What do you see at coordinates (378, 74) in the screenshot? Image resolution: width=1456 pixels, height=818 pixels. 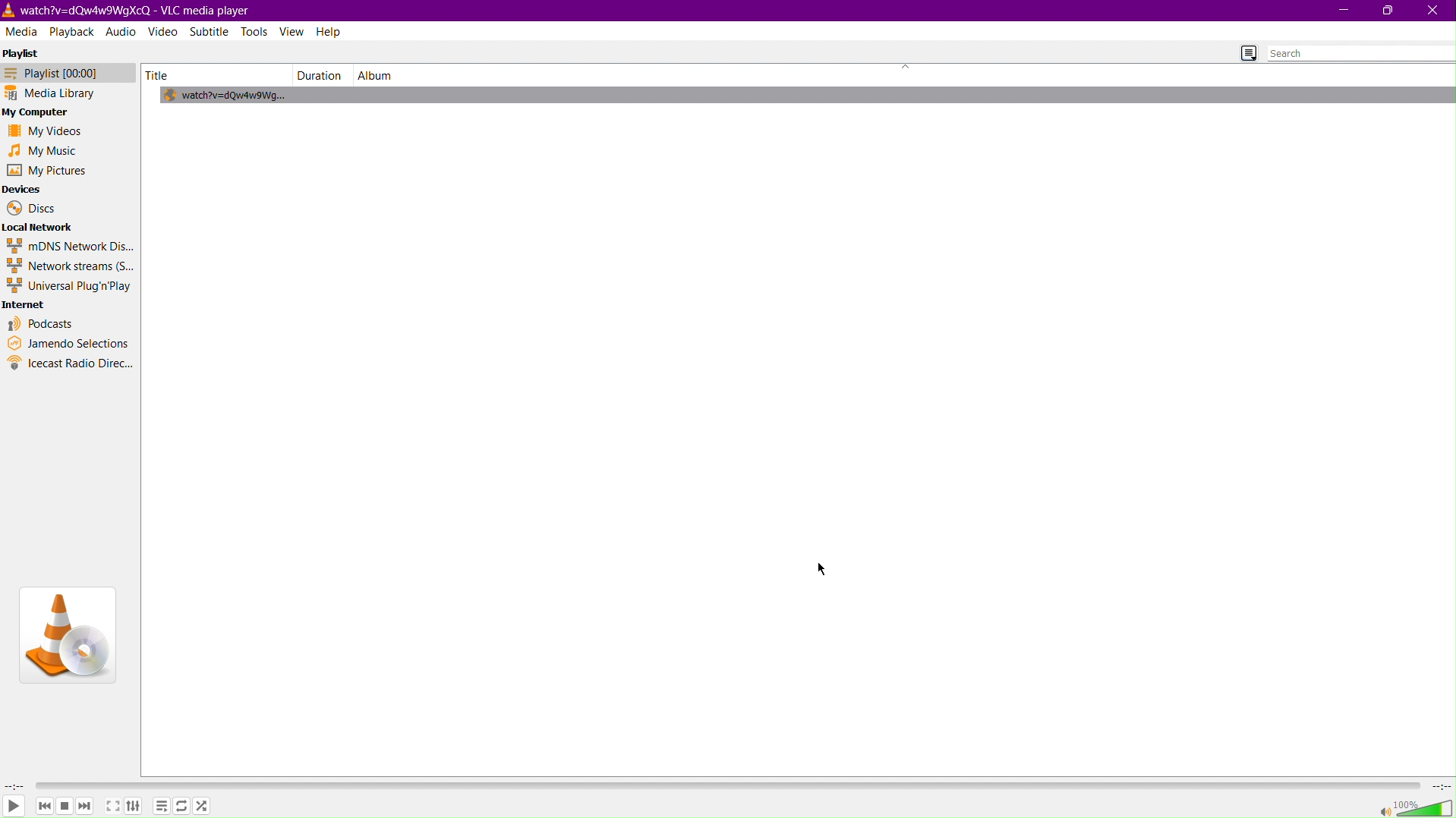 I see `Album` at bounding box center [378, 74].